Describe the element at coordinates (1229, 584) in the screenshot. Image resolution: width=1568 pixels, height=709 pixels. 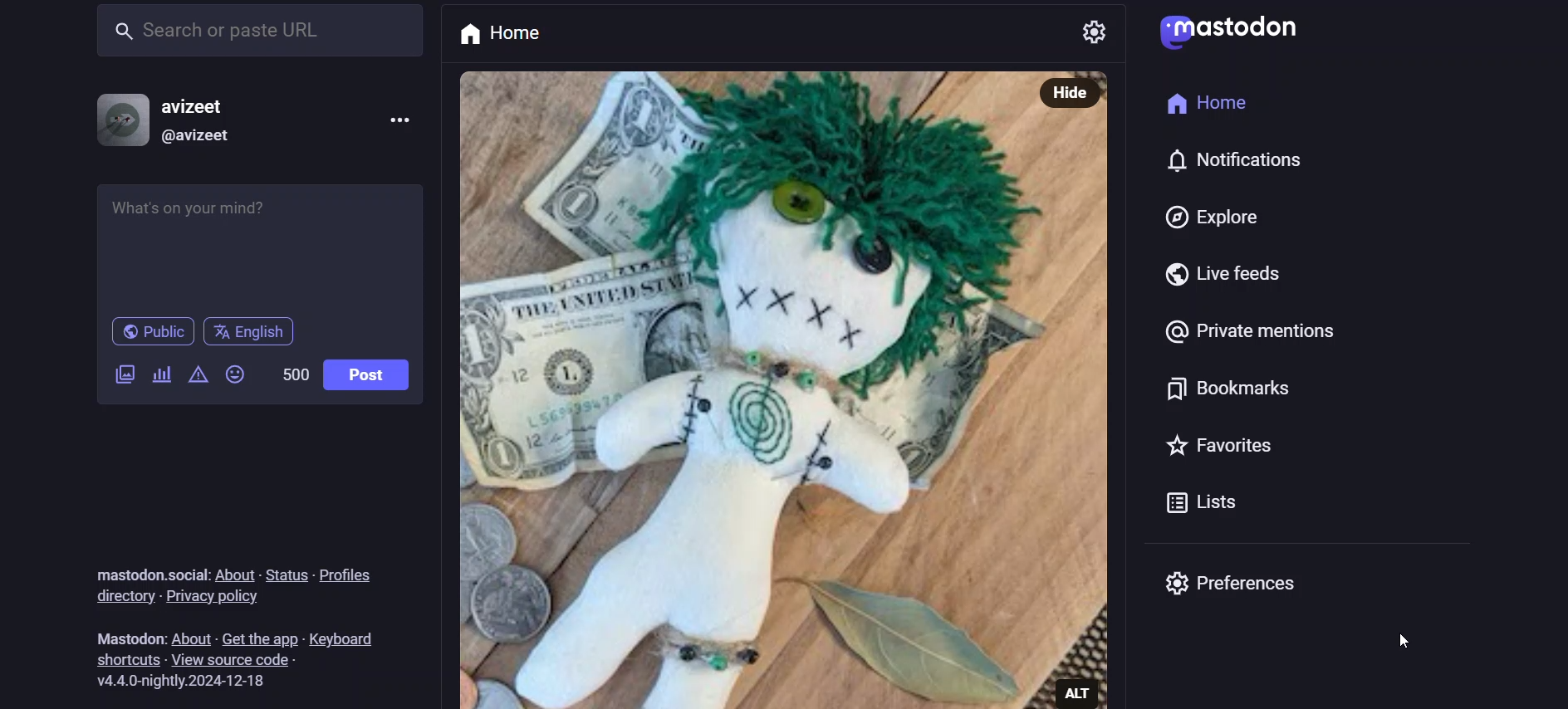
I see `Preferences` at that location.